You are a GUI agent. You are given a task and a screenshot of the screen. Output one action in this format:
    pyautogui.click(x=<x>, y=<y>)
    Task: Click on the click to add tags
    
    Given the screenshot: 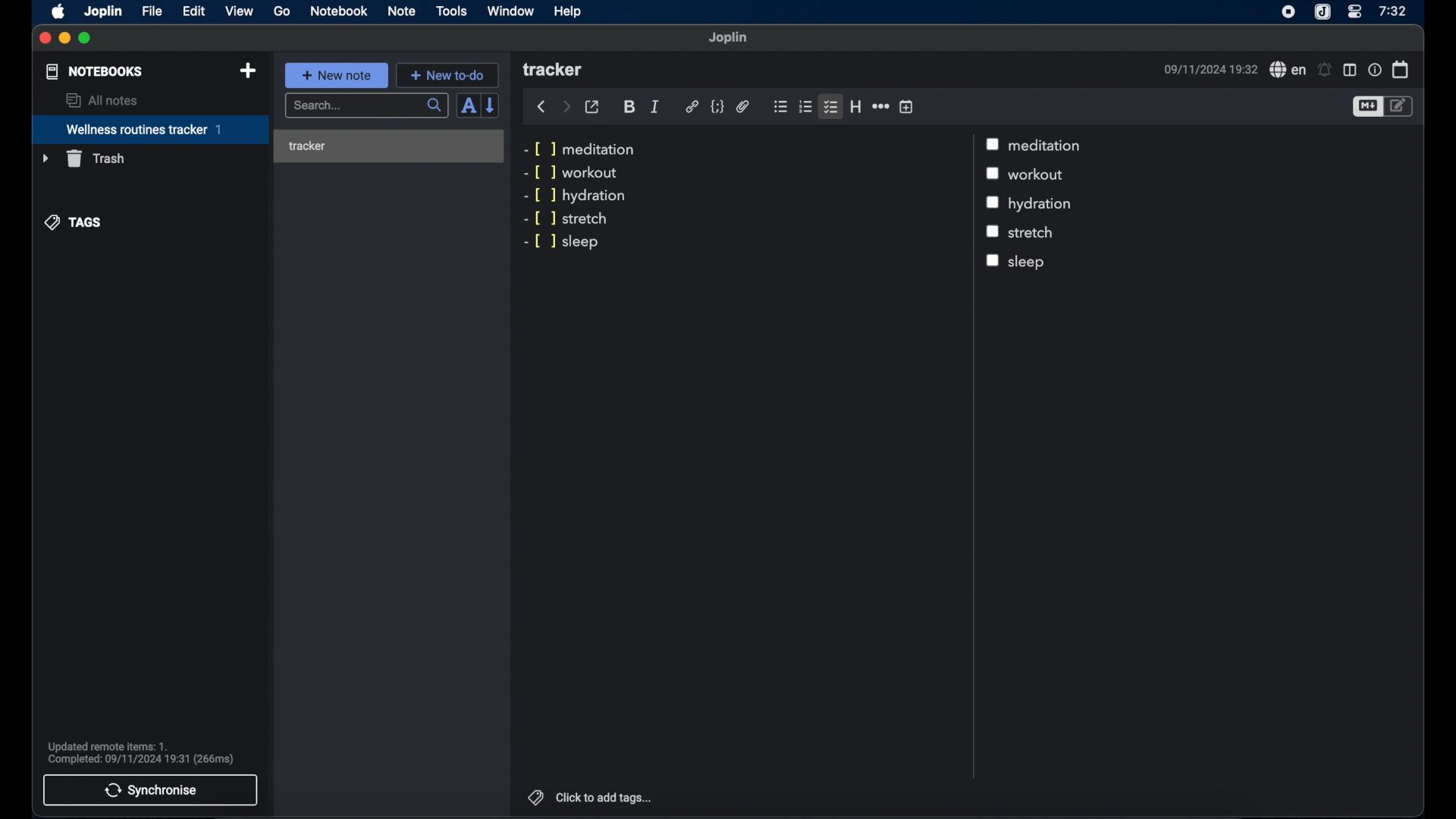 What is the action you would take?
    pyautogui.click(x=605, y=797)
    